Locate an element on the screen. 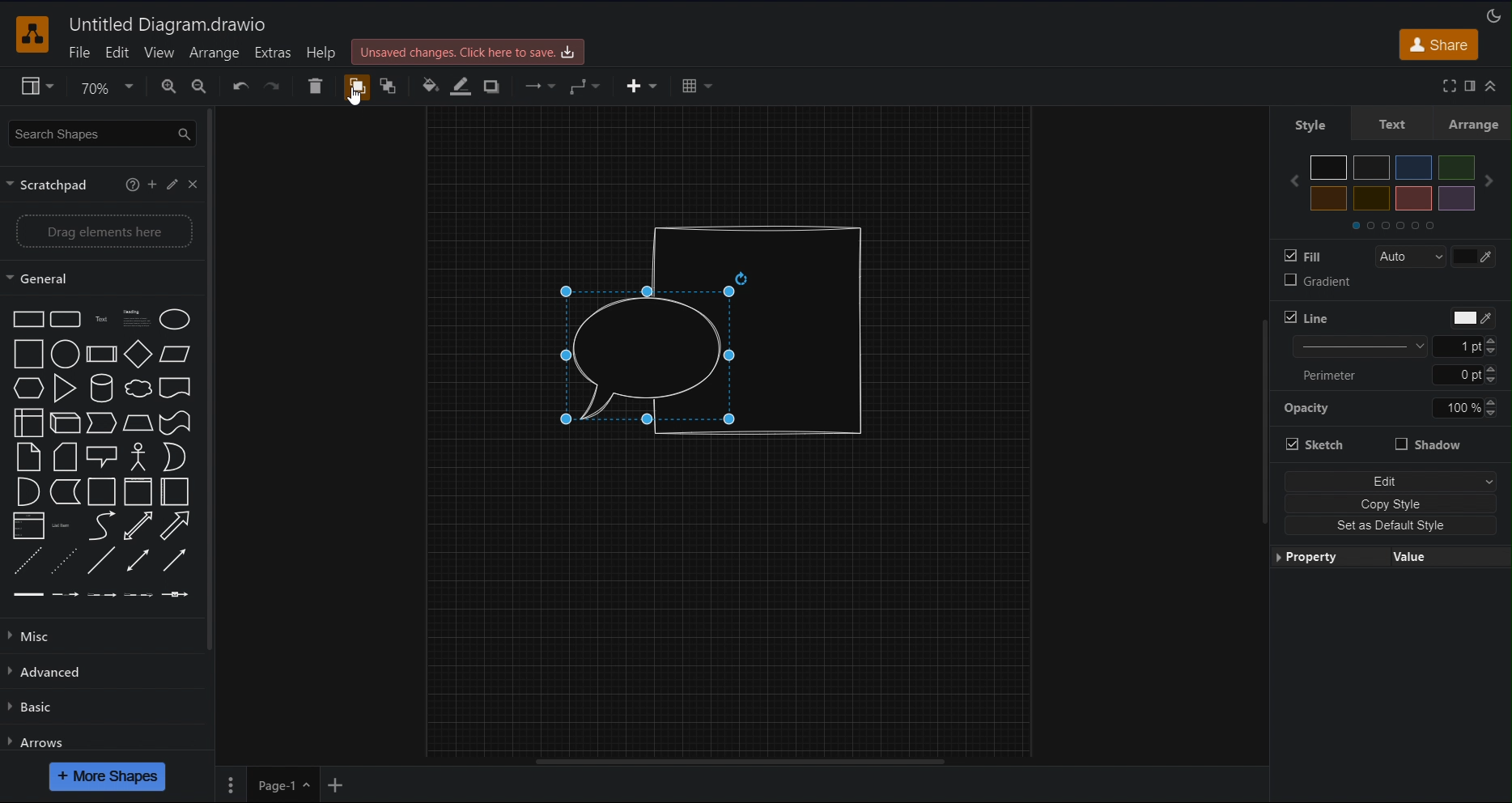  Misc  is located at coordinates (100, 637).